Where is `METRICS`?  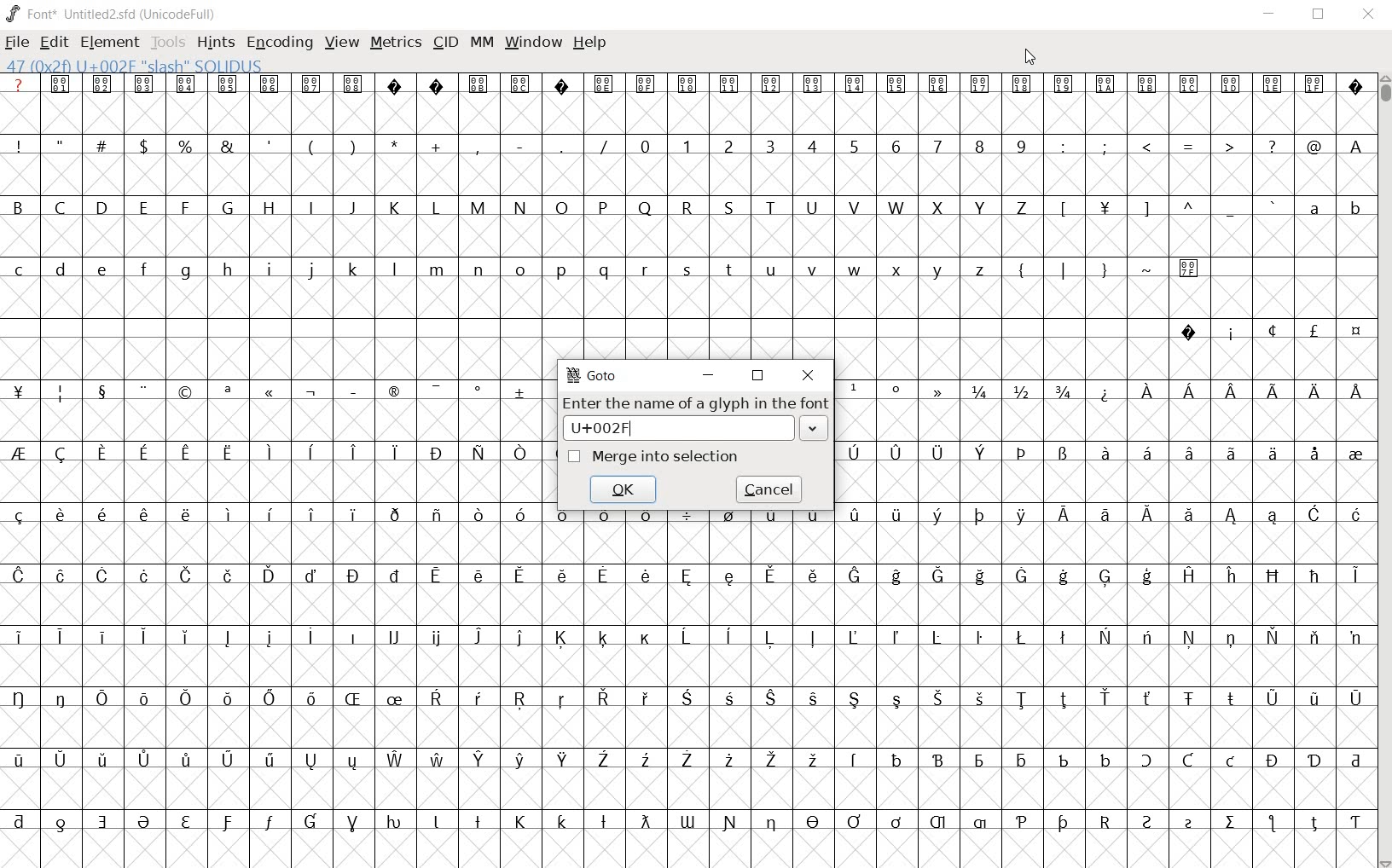 METRICS is located at coordinates (393, 45).